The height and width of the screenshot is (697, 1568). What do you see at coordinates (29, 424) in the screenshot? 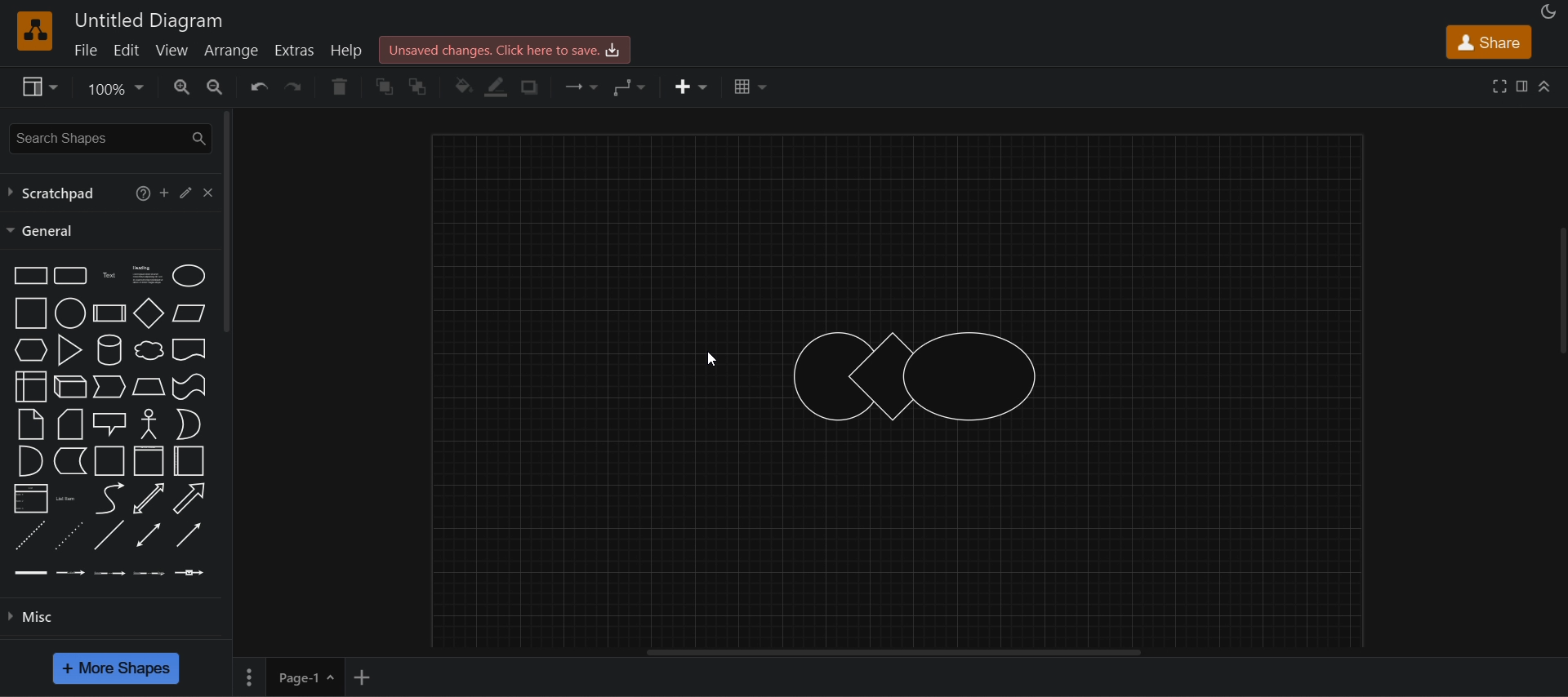
I see `note` at bounding box center [29, 424].